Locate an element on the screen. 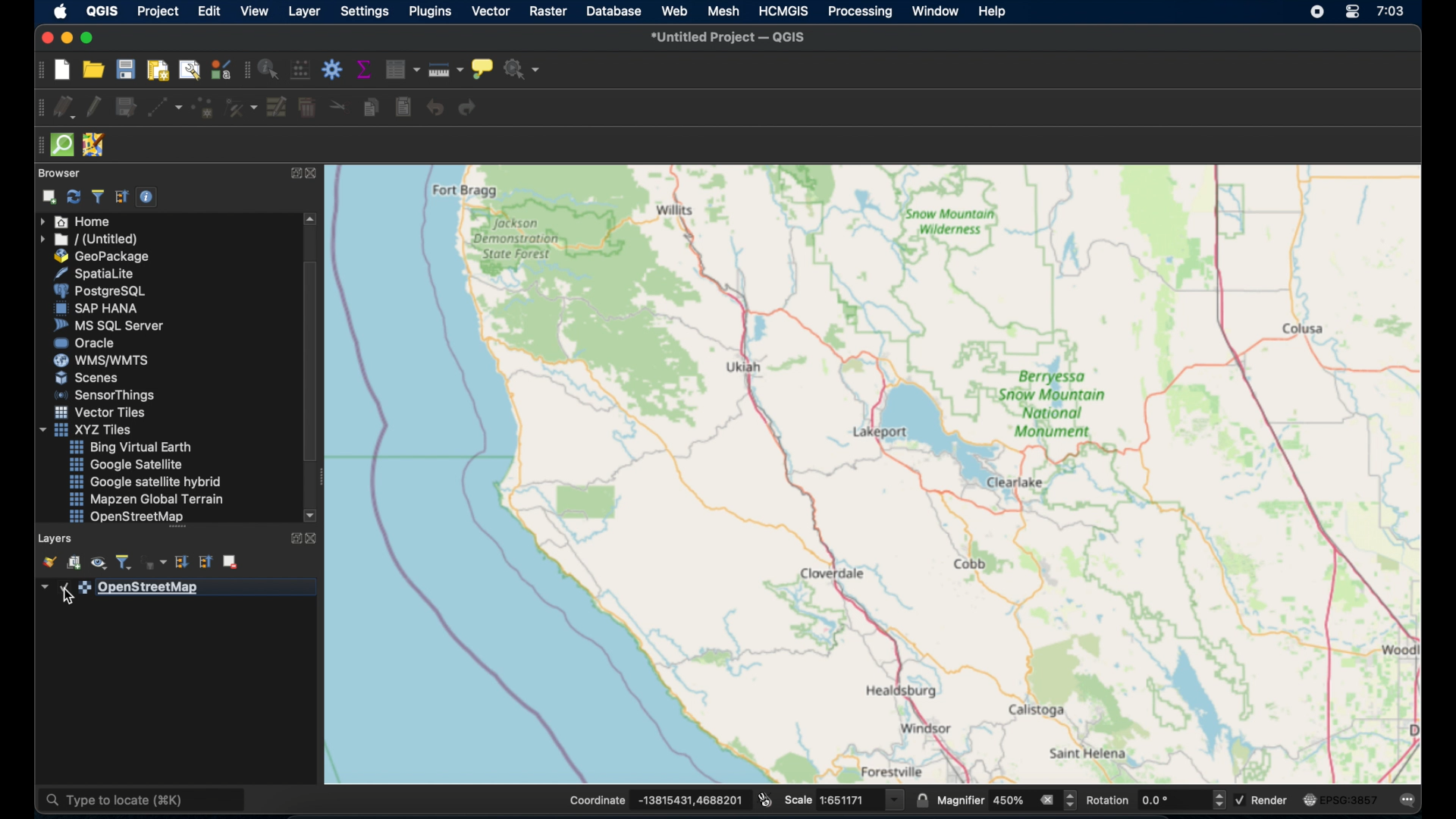  current crs is located at coordinates (1347, 801).